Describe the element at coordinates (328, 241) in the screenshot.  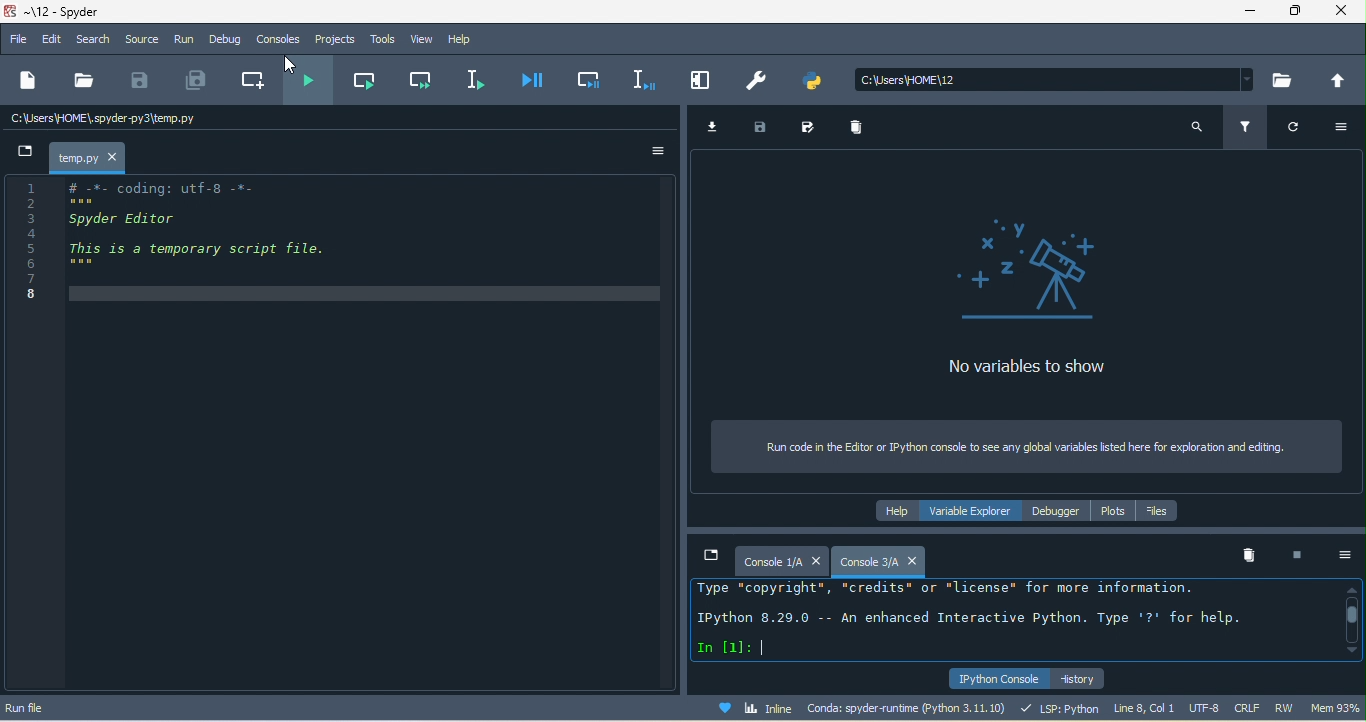
I see `editor pane` at that location.